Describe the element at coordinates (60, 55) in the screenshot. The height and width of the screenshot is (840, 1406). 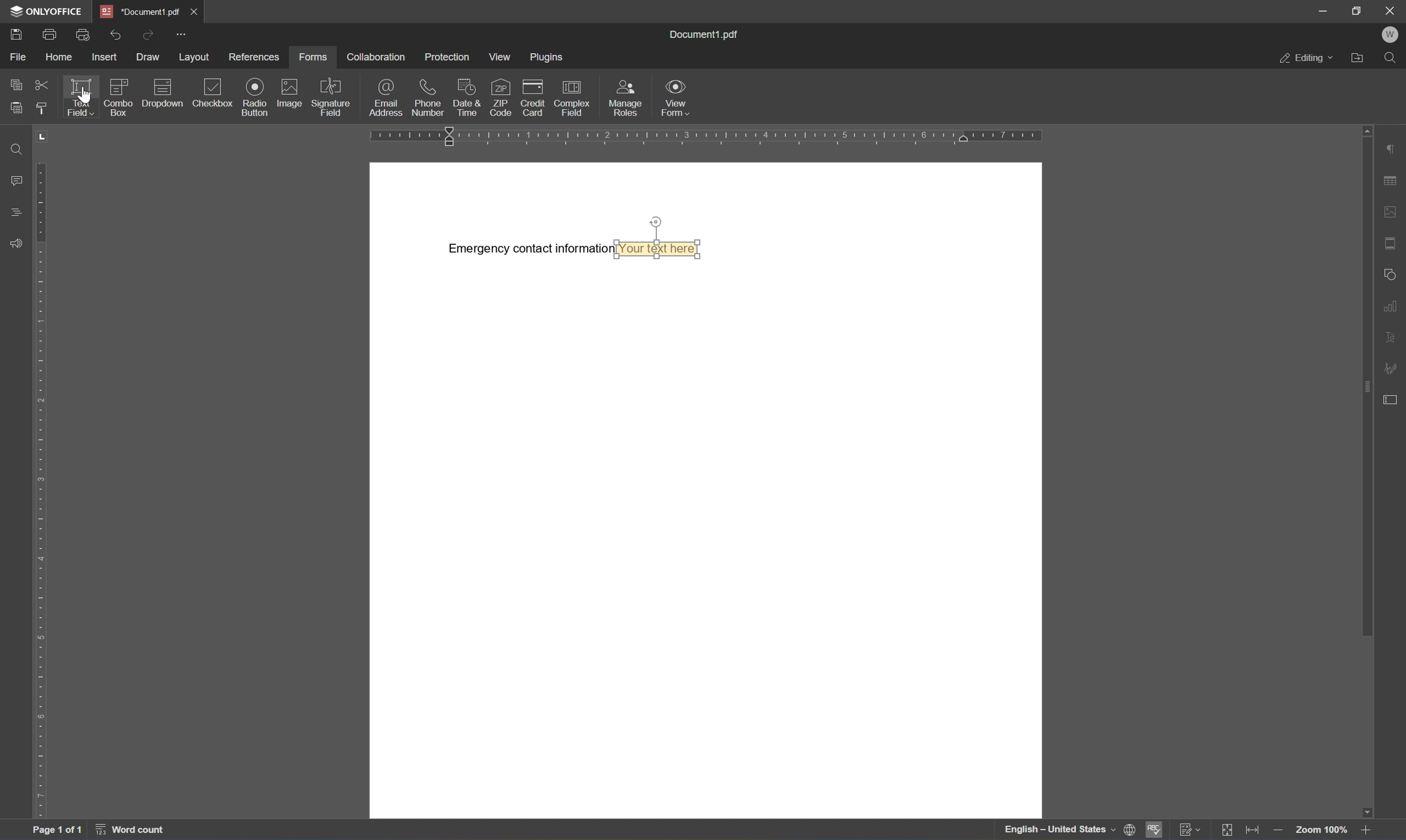
I see `home` at that location.